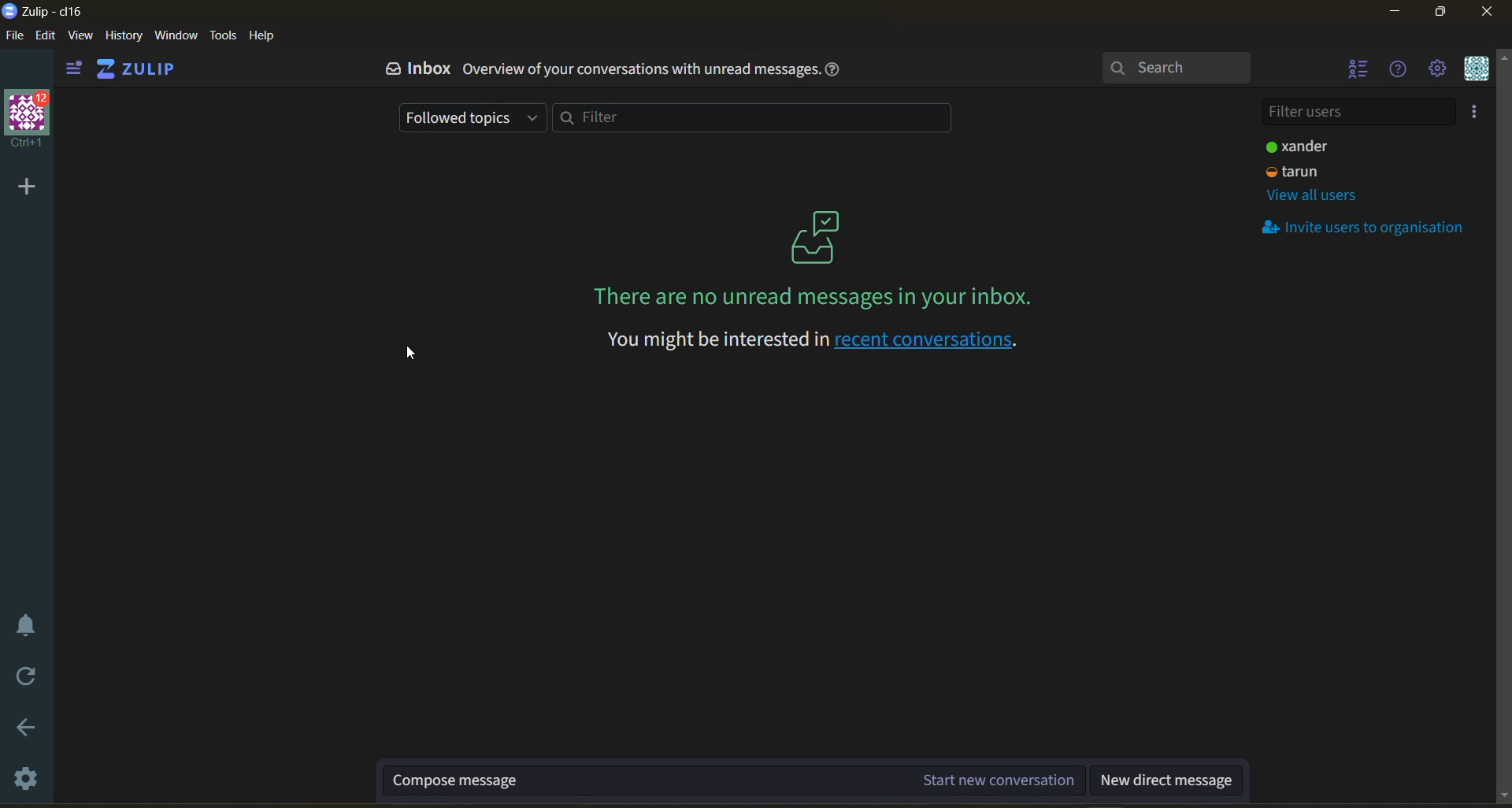 The width and height of the screenshot is (1512, 808). Describe the element at coordinates (1313, 172) in the screenshot. I see `user 2` at that location.